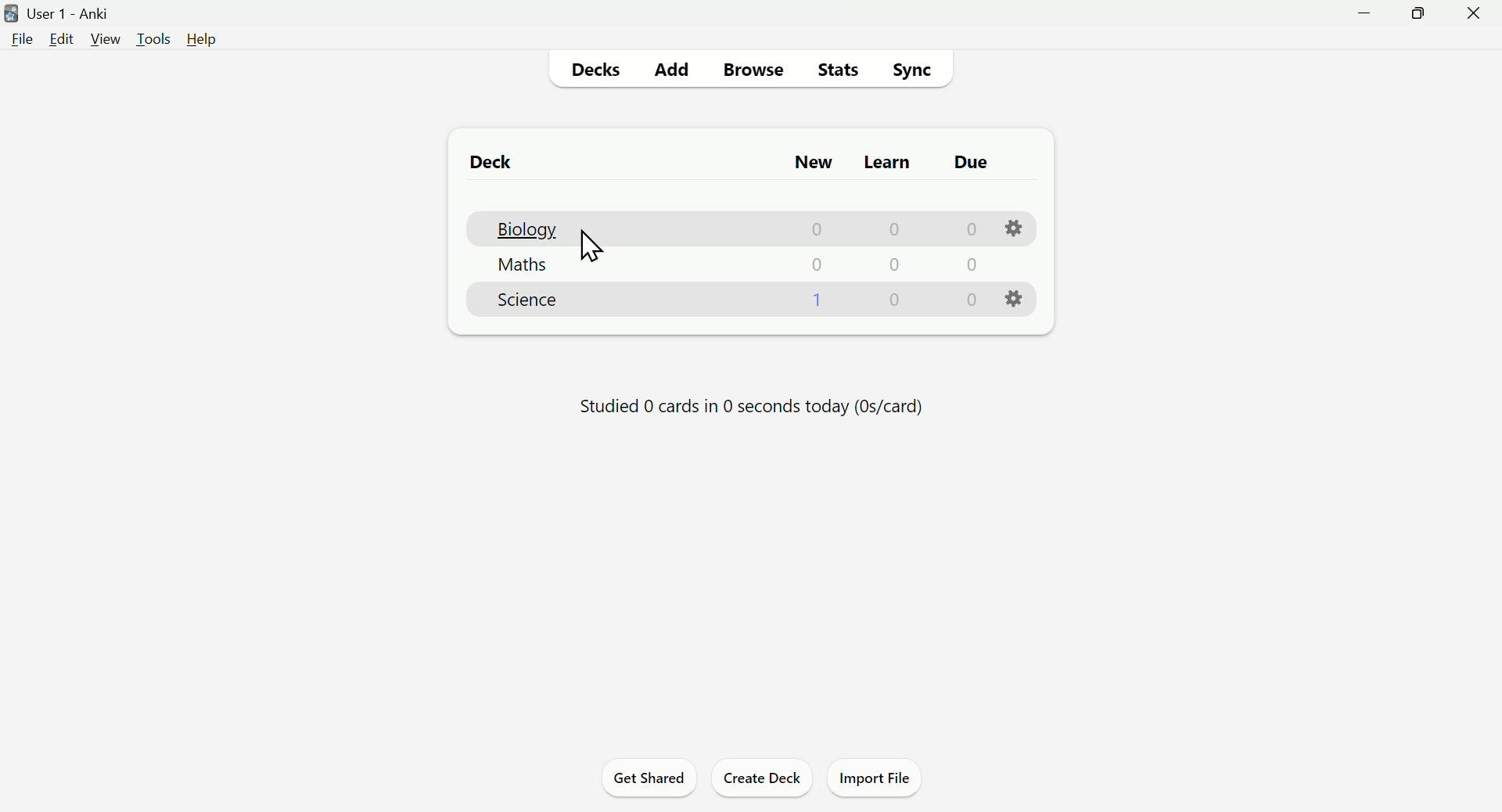 The height and width of the screenshot is (812, 1502). Describe the element at coordinates (968, 265) in the screenshot. I see `0` at that location.